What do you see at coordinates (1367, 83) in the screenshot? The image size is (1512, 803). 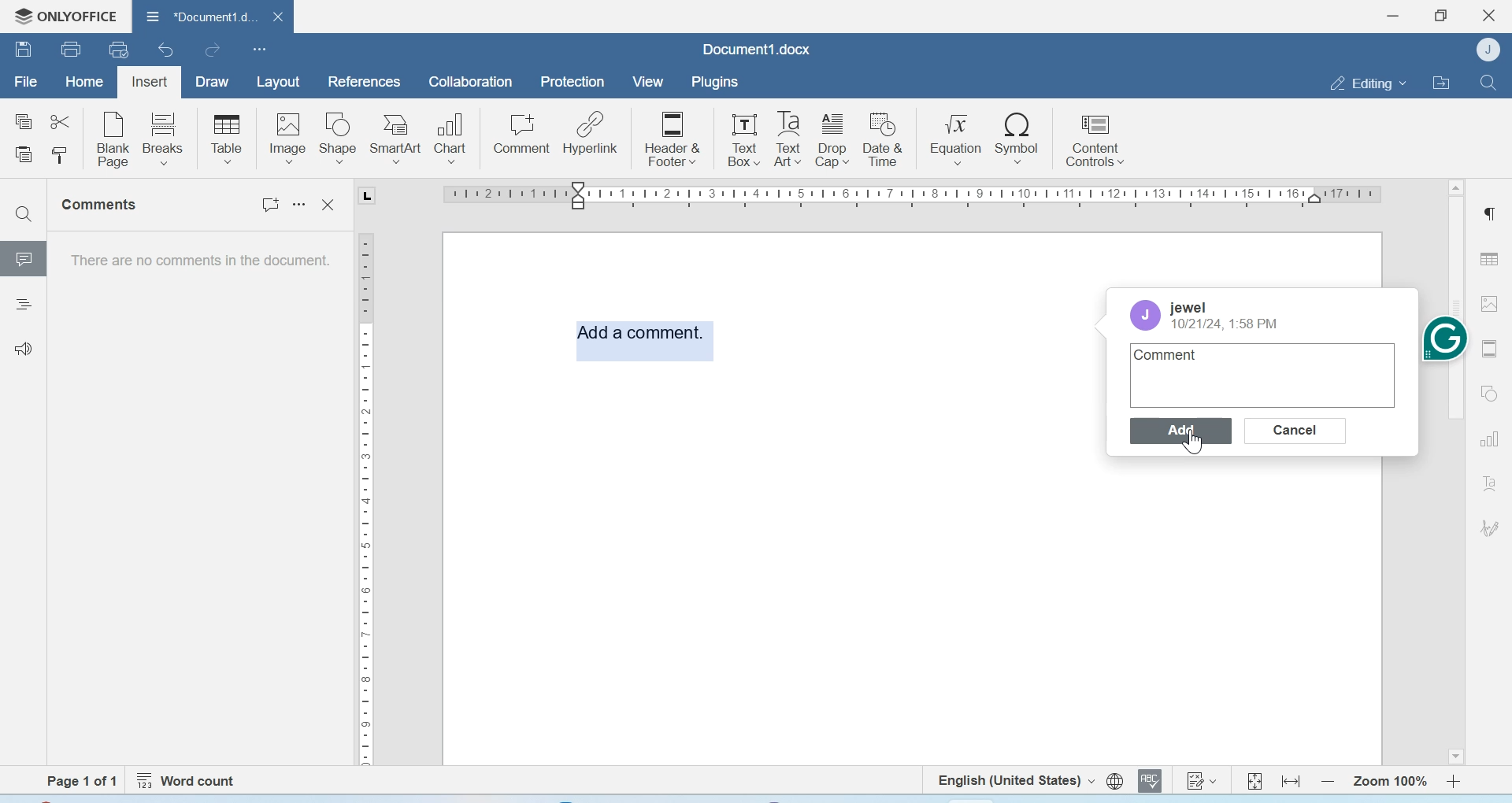 I see `Editing` at bounding box center [1367, 83].